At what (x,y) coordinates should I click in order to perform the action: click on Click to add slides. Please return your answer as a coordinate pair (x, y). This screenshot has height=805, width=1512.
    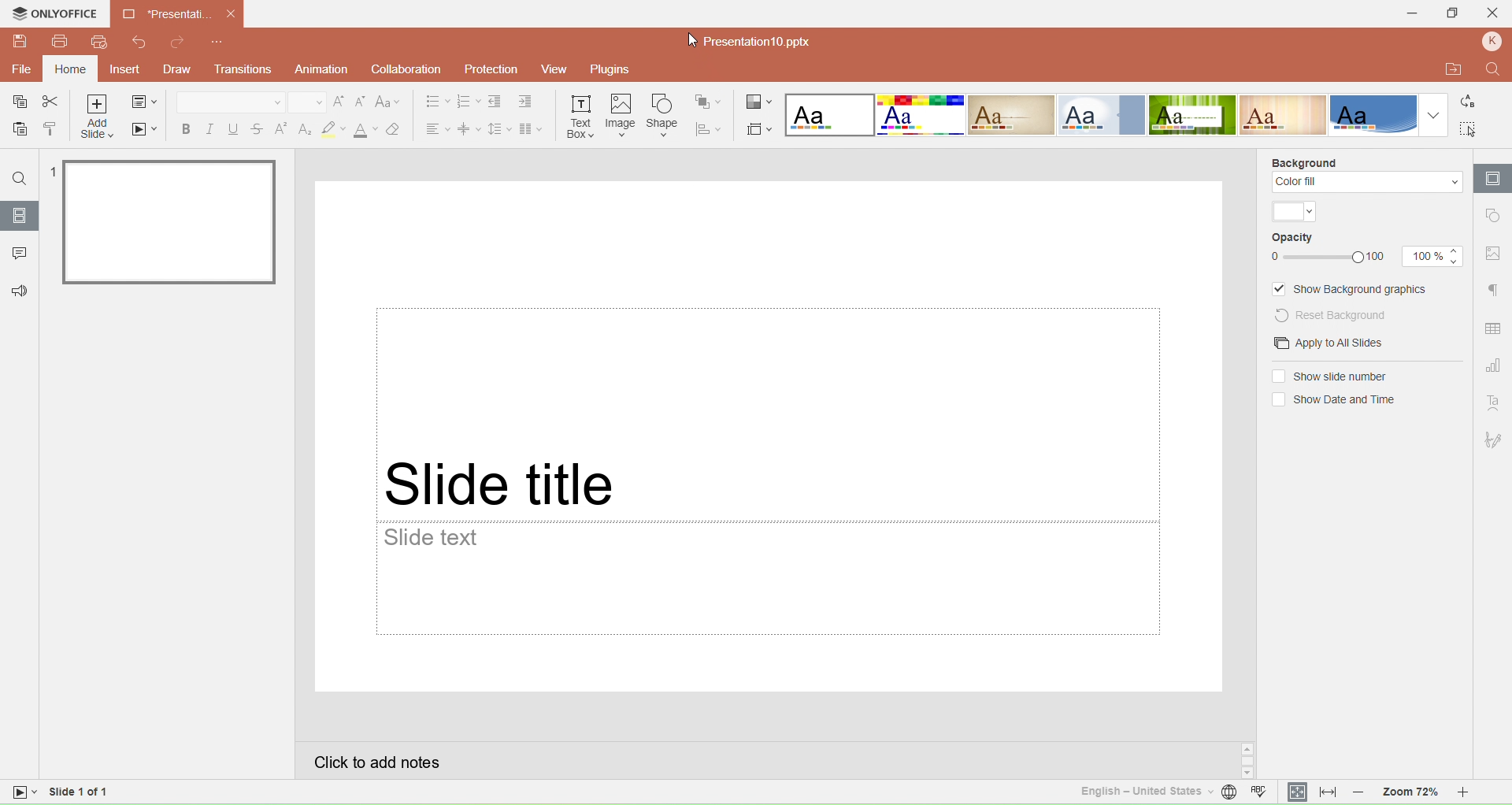
    Looking at the image, I should click on (763, 759).